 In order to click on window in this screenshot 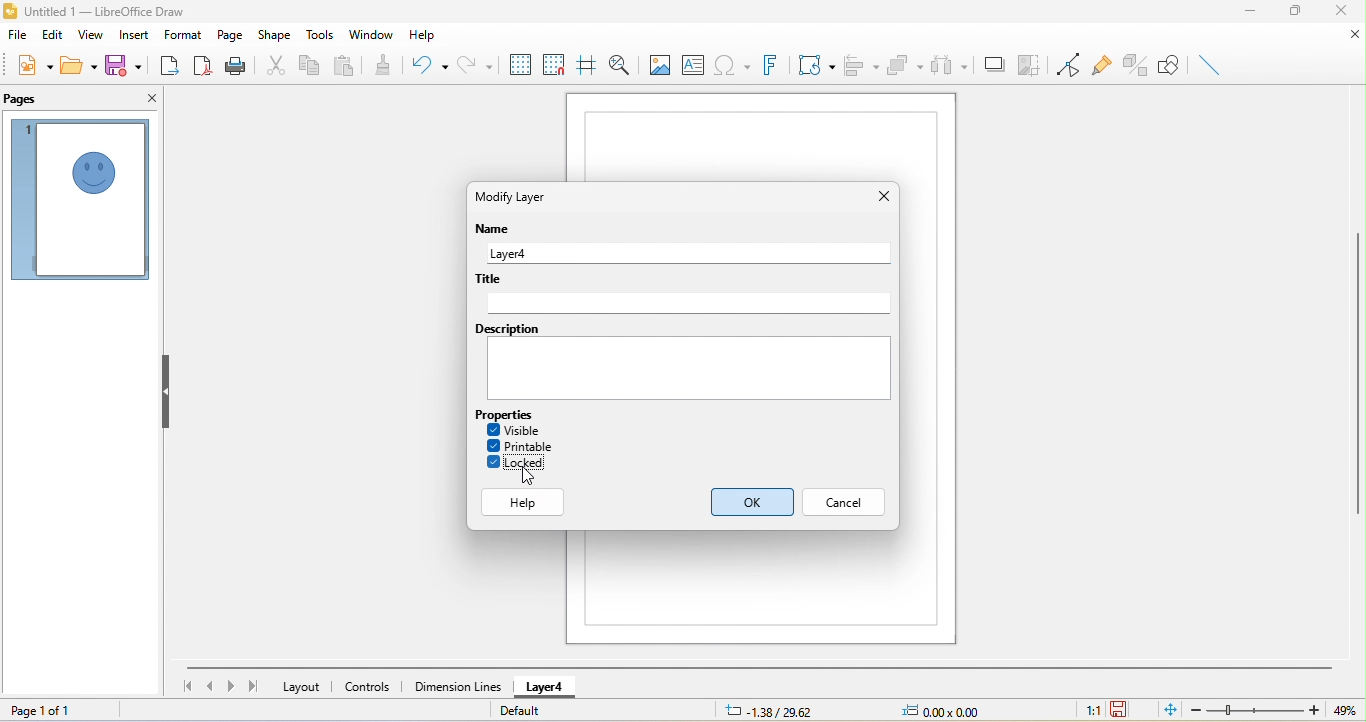, I will do `click(373, 33)`.